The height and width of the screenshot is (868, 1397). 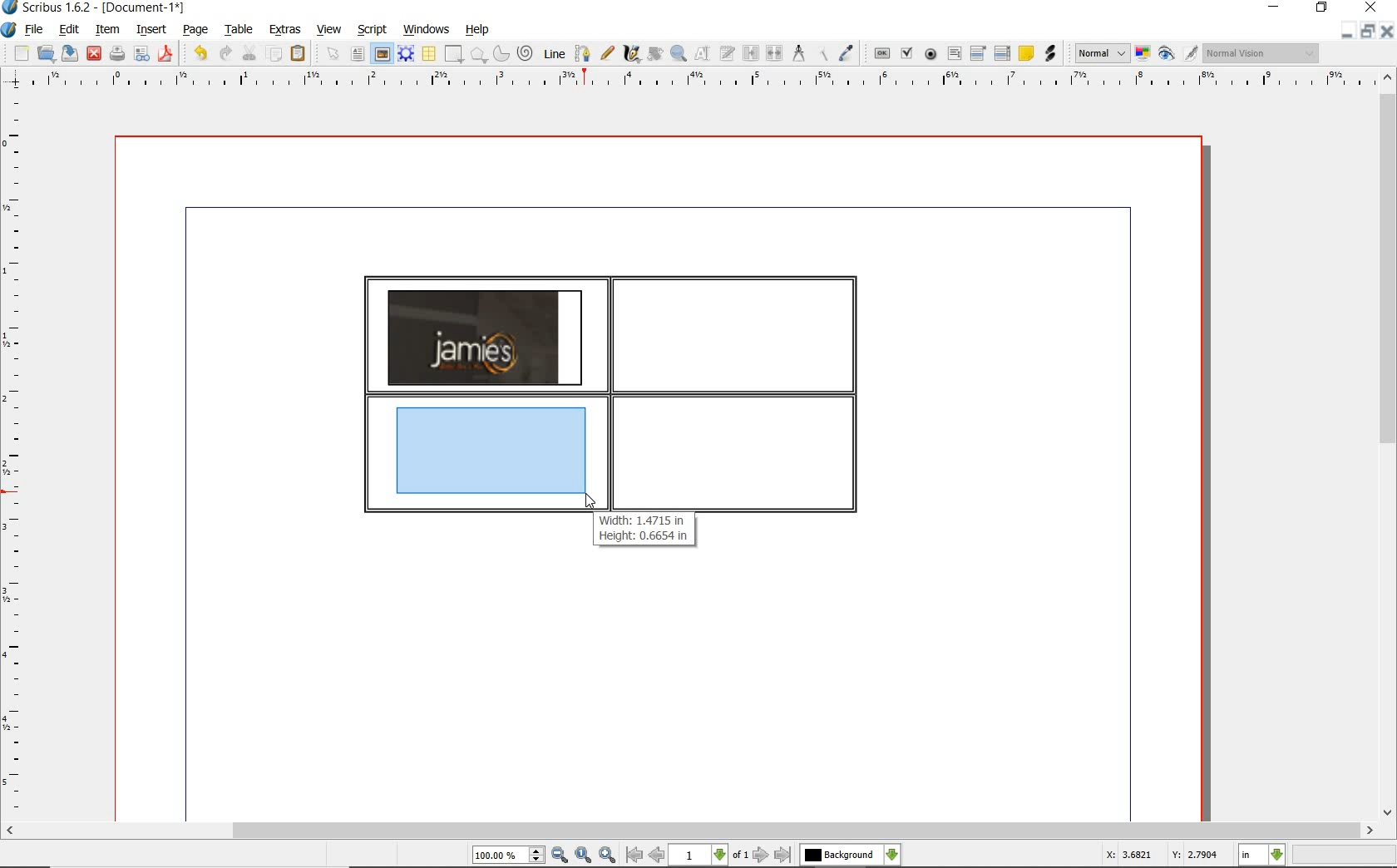 What do you see at coordinates (406, 52) in the screenshot?
I see `render frame` at bounding box center [406, 52].